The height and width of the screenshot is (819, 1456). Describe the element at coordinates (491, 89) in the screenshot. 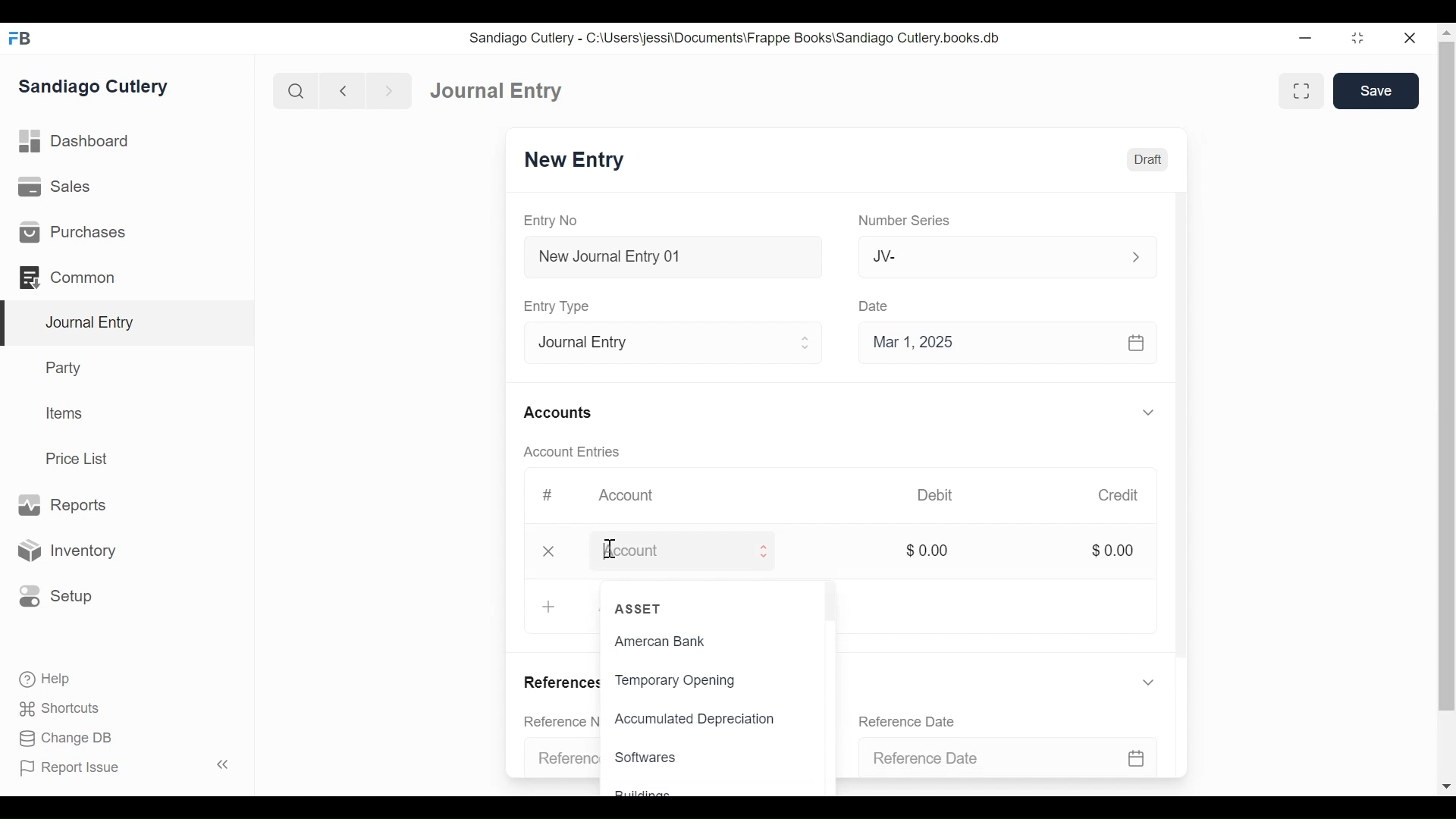

I see `Dashboard` at that location.